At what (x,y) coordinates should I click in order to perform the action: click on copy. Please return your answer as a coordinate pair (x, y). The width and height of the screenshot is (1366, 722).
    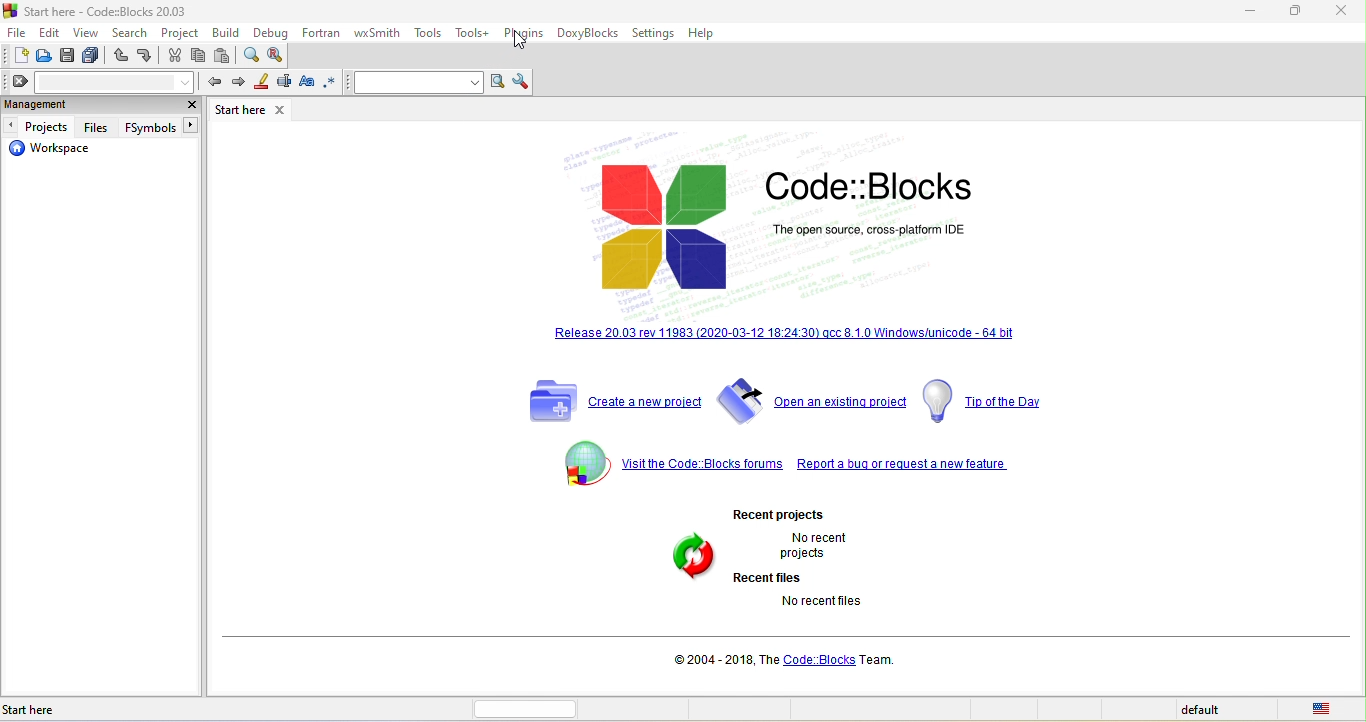
    Looking at the image, I should click on (198, 55).